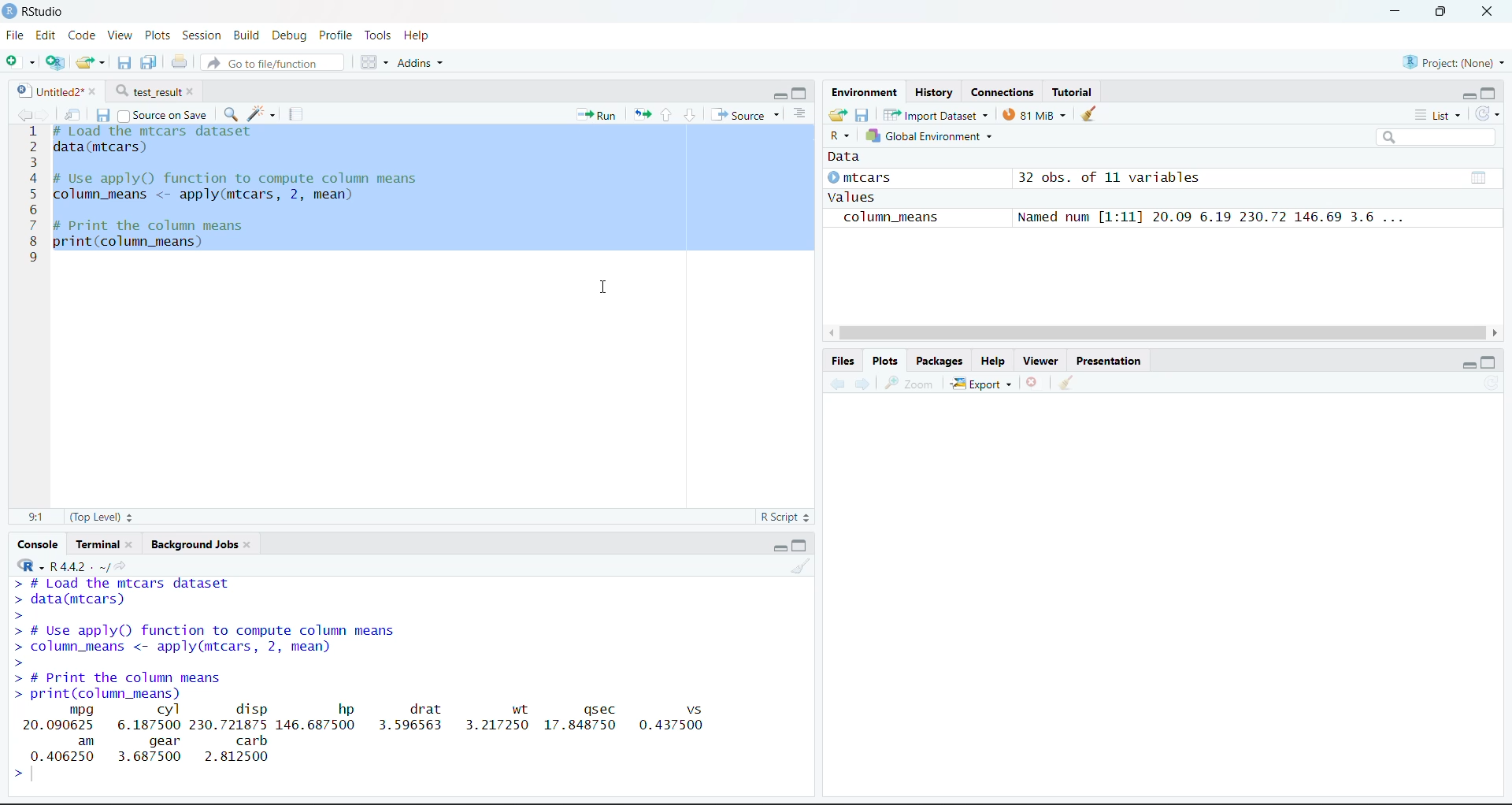  What do you see at coordinates (78, 566) in the screenshot?
I see `R 4.2.2~/` at bounding box center [78, 566].